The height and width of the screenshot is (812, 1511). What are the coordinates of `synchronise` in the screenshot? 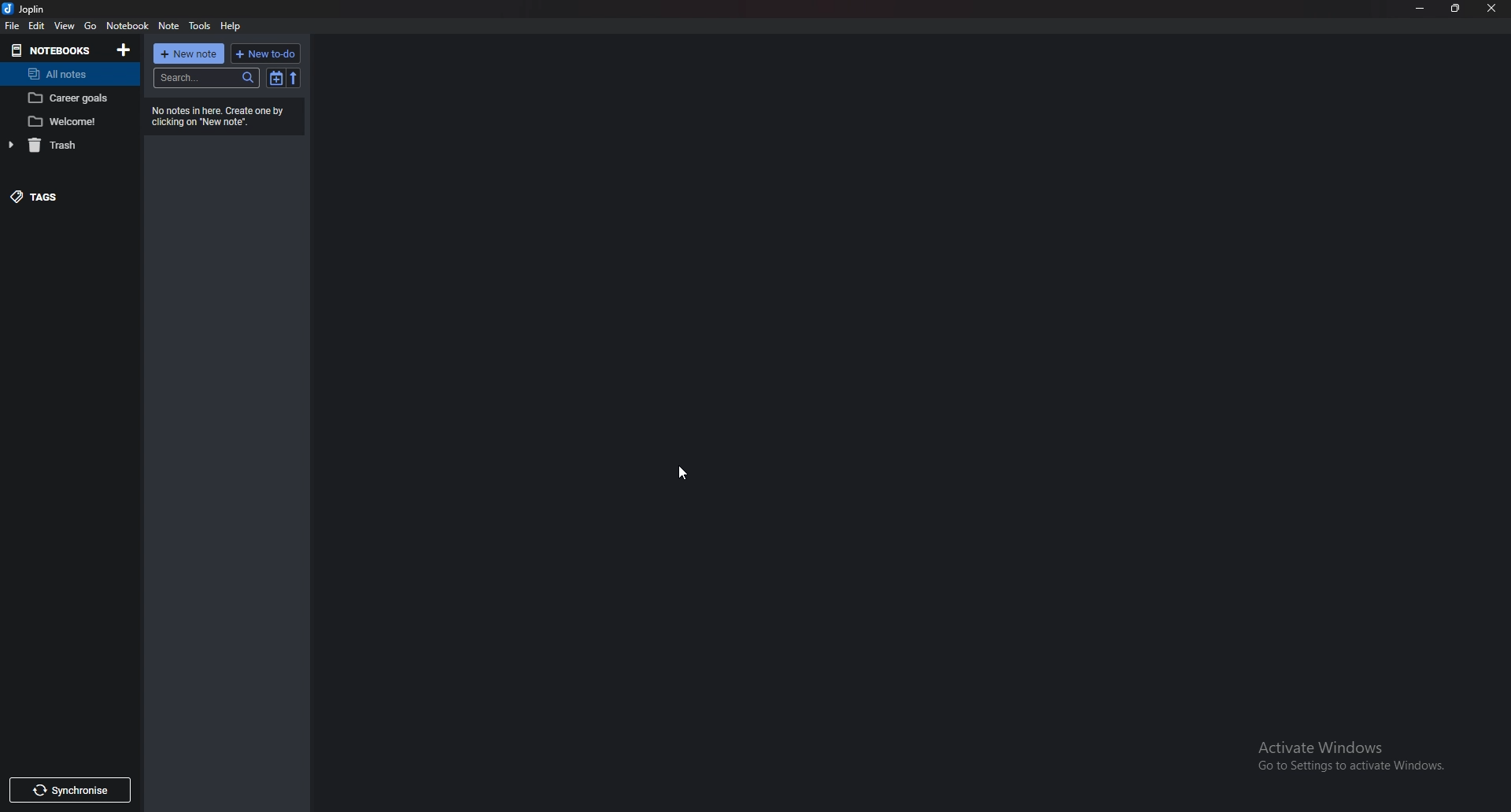 It's located at (69, 790).